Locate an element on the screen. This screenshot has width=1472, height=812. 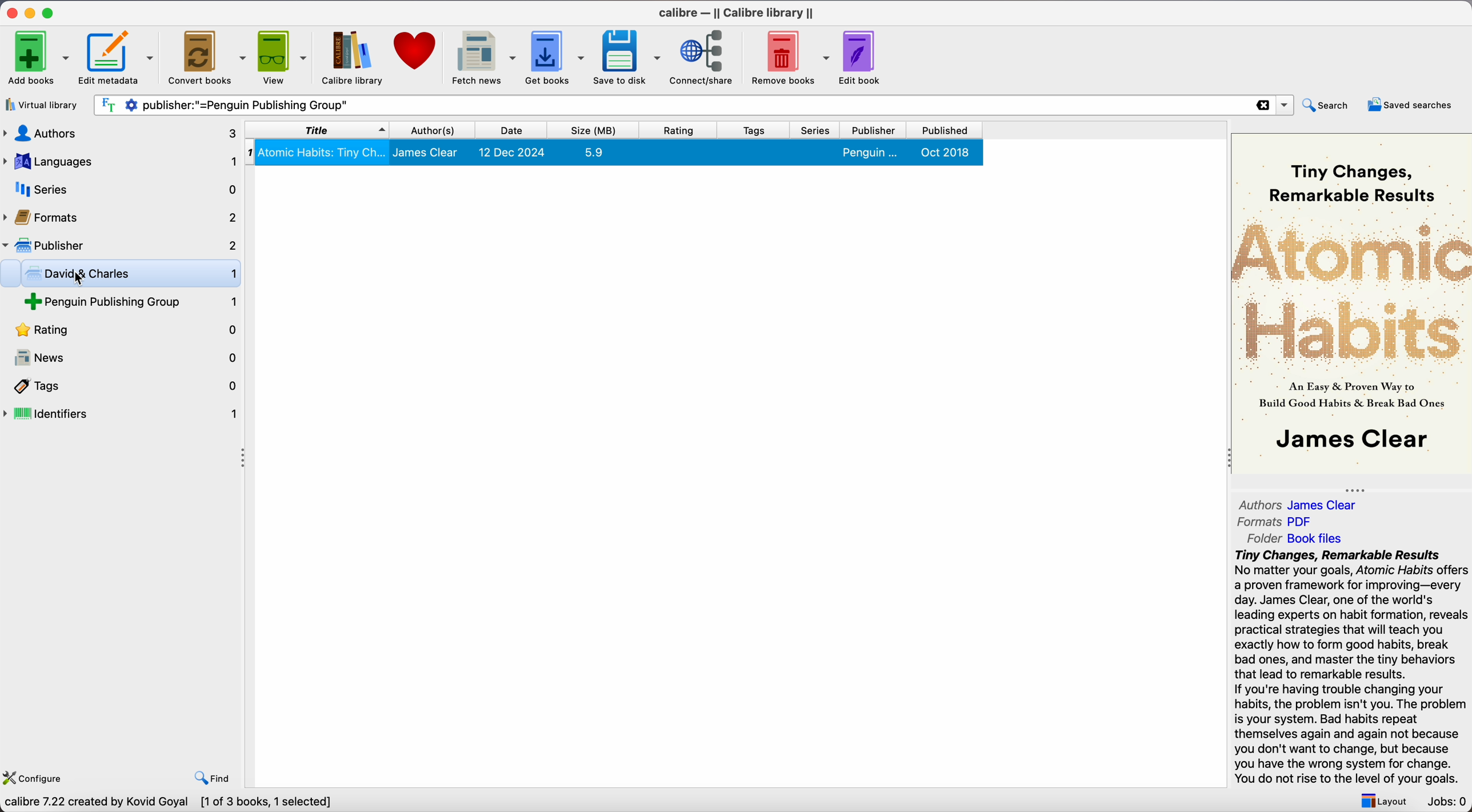
size is located at coordinates (599, 130).